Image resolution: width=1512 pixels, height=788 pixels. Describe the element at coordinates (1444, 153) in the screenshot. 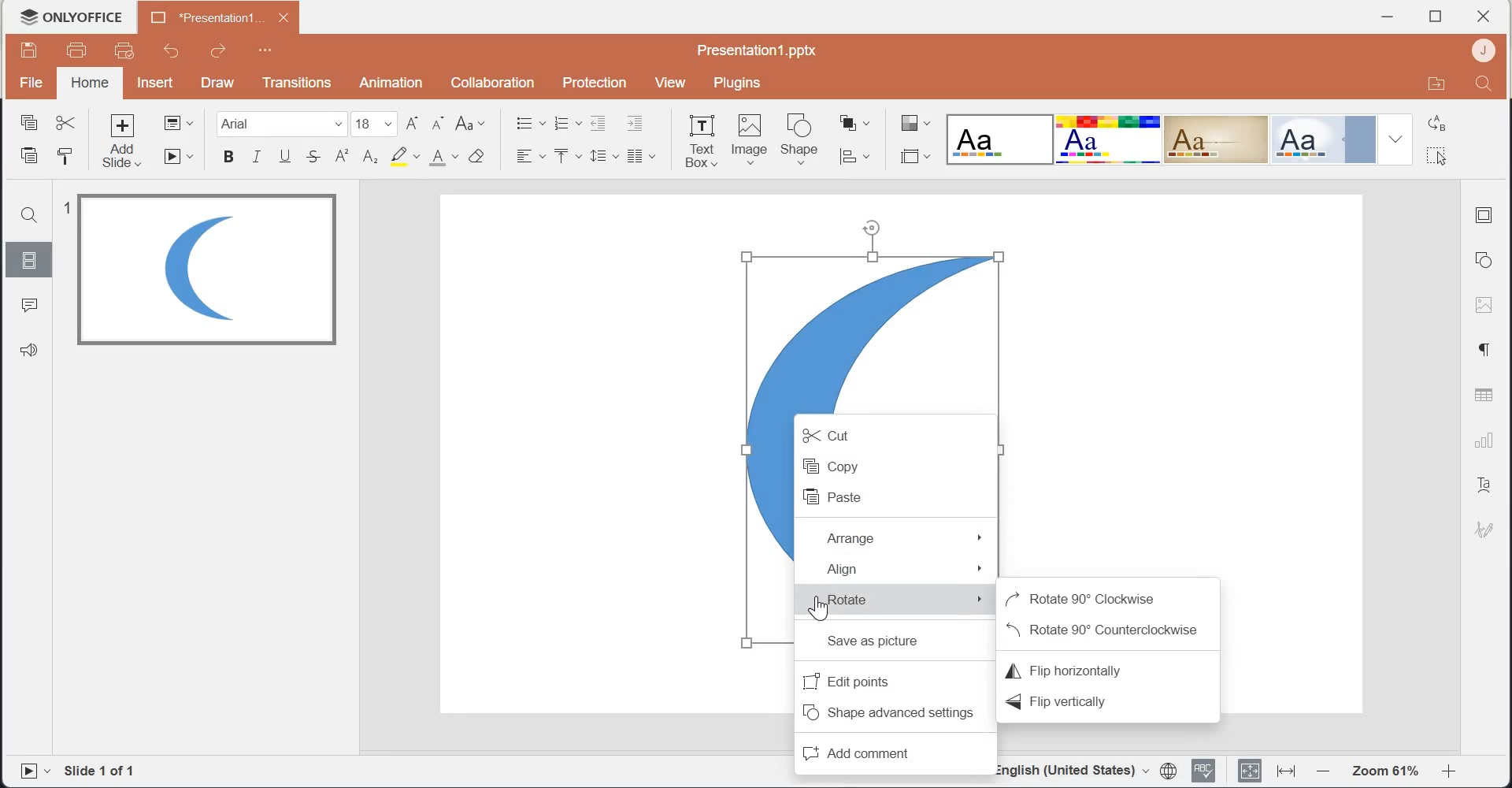

I see `Select all` at that location.